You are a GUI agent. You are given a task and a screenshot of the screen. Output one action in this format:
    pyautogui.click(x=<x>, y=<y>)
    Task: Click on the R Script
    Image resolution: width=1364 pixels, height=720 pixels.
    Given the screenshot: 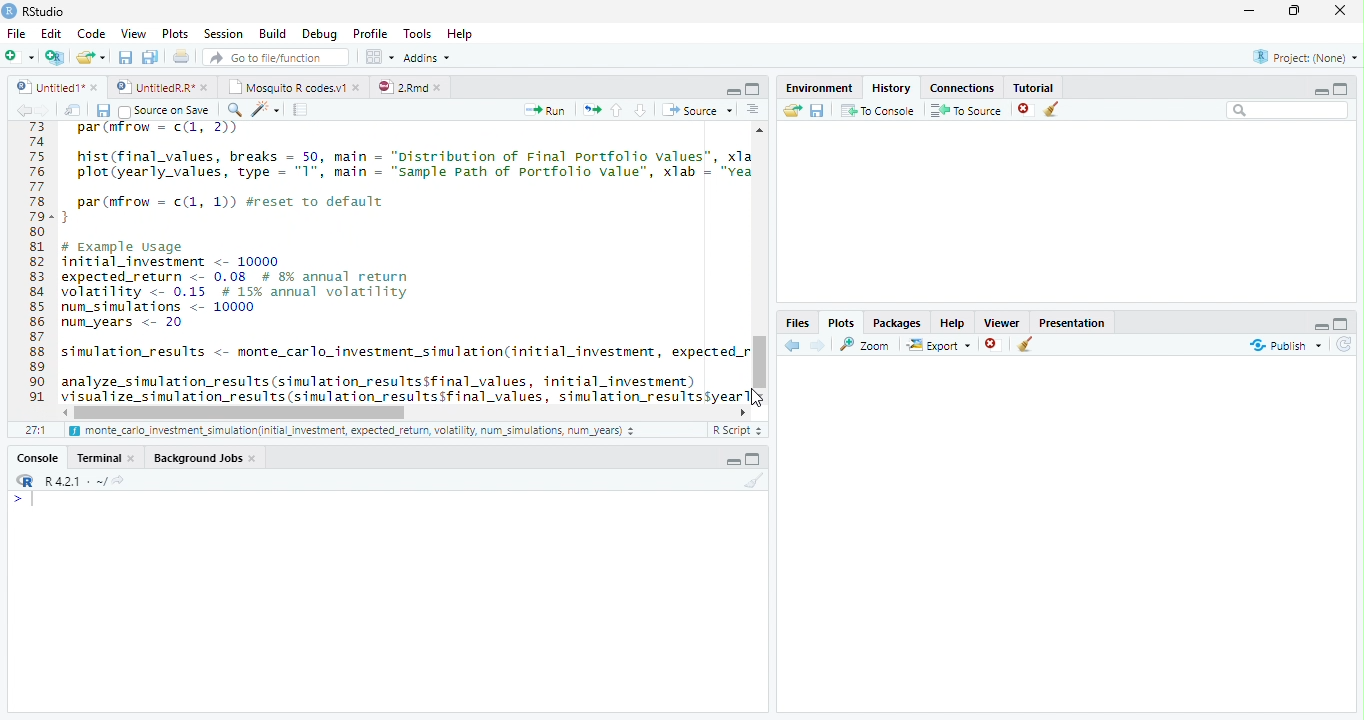 What is the action you would take?
    pyautogui.click(x=737, y=430)
    